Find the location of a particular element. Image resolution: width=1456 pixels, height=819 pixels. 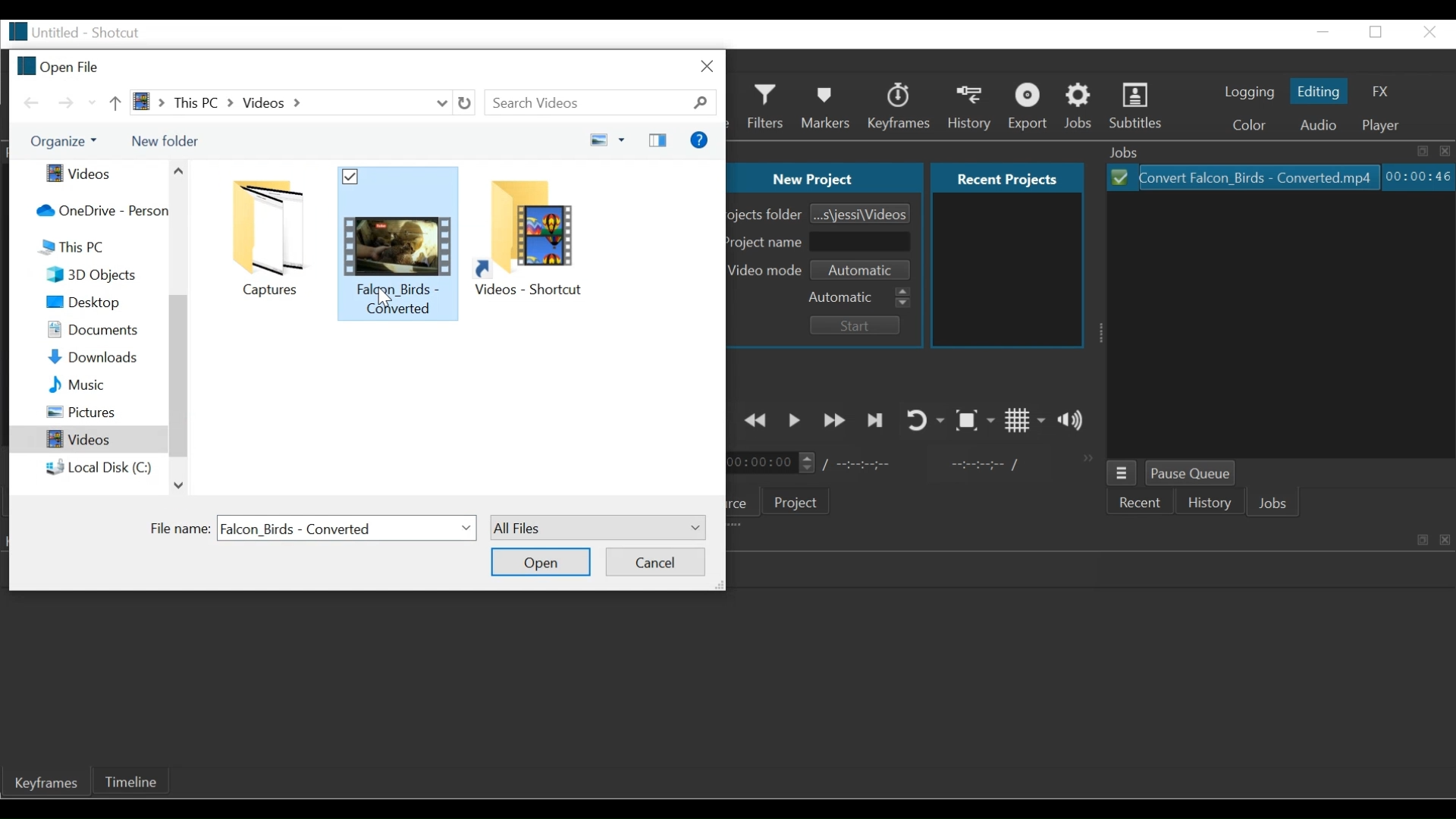

Projects Folder is located at coordinates (767, 216).